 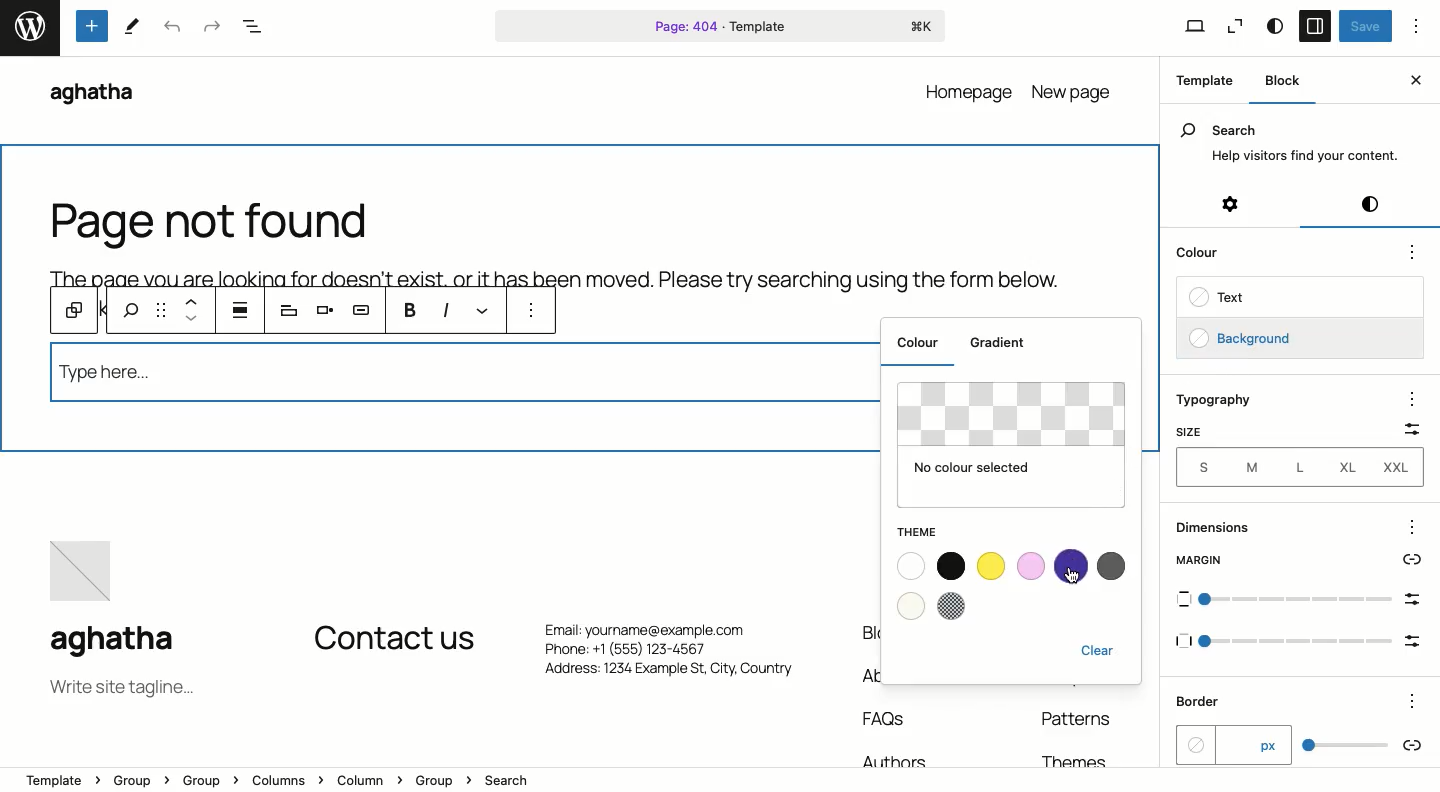 What do you see at coordinates (667, 674) in the screenshot?
I see `Address: 1234 Example St, City. Country` at bounding box center [667, 674].